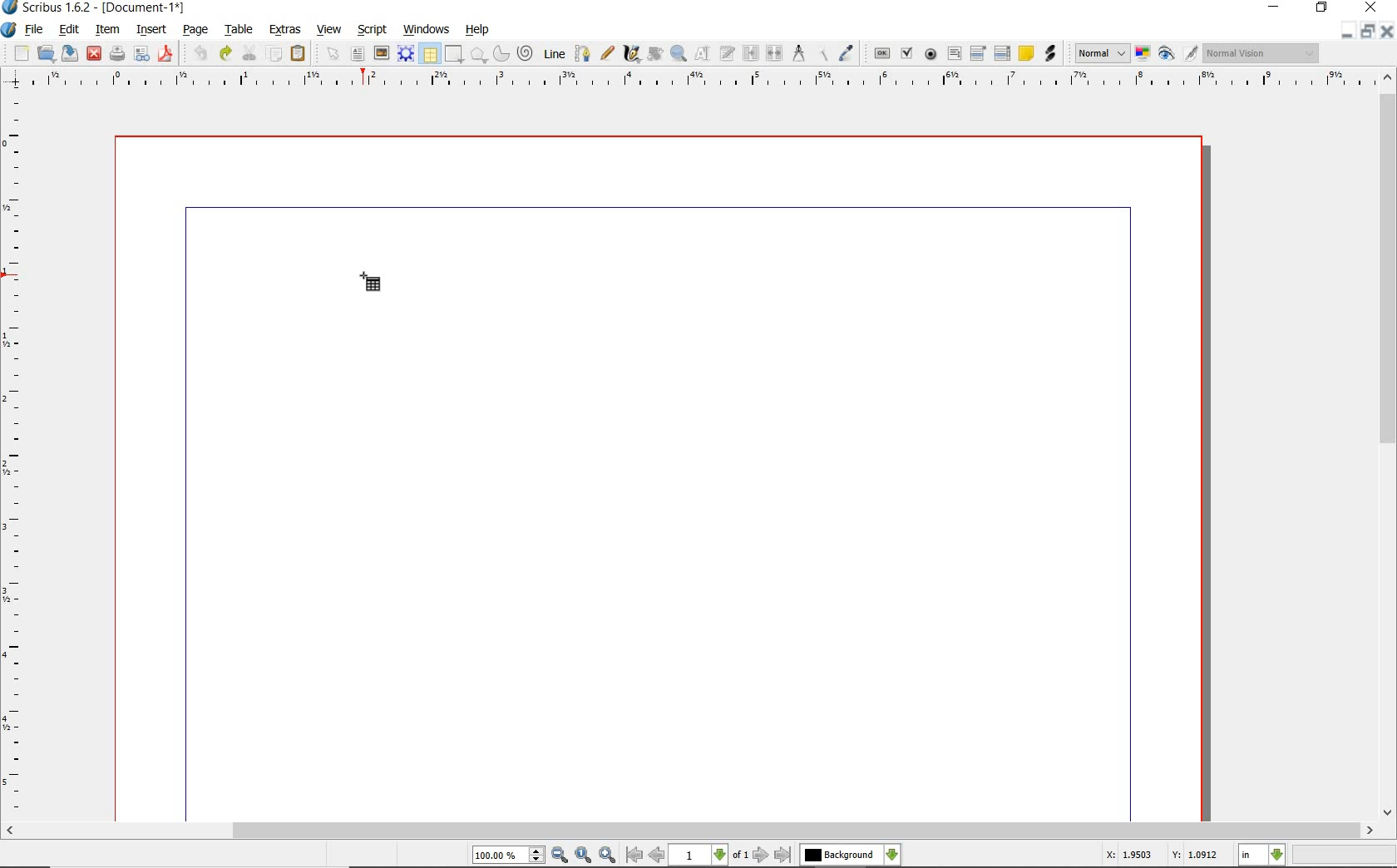 Image resolution: width=1397 pixels, height=868 pixels. What do you see at coordinates (703, 54) in the screenshot?
I see `edit contents of frame` at bounding box center [703, 54].